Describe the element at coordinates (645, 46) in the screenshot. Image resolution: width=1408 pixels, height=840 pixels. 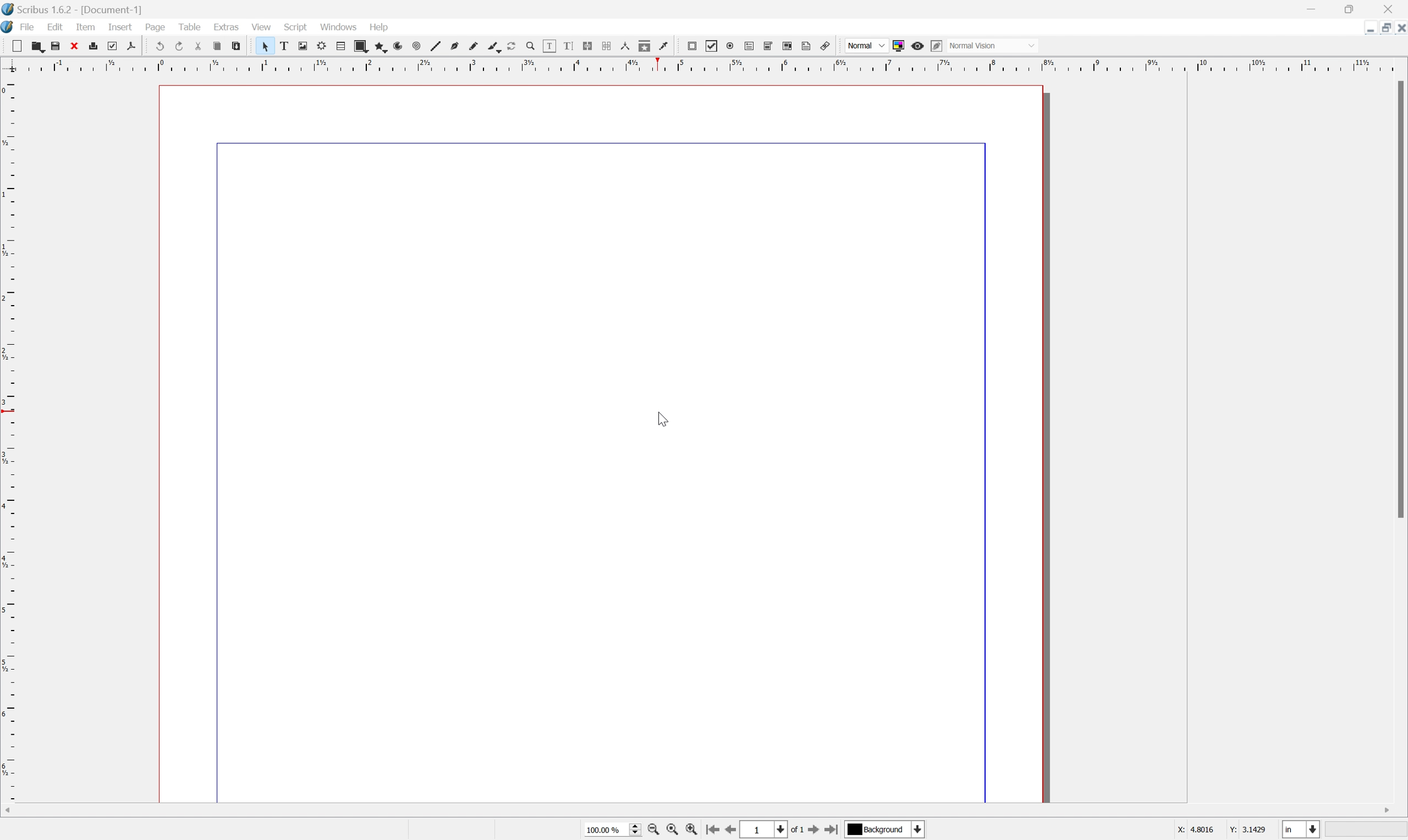
I see `copy item properties` at that location.